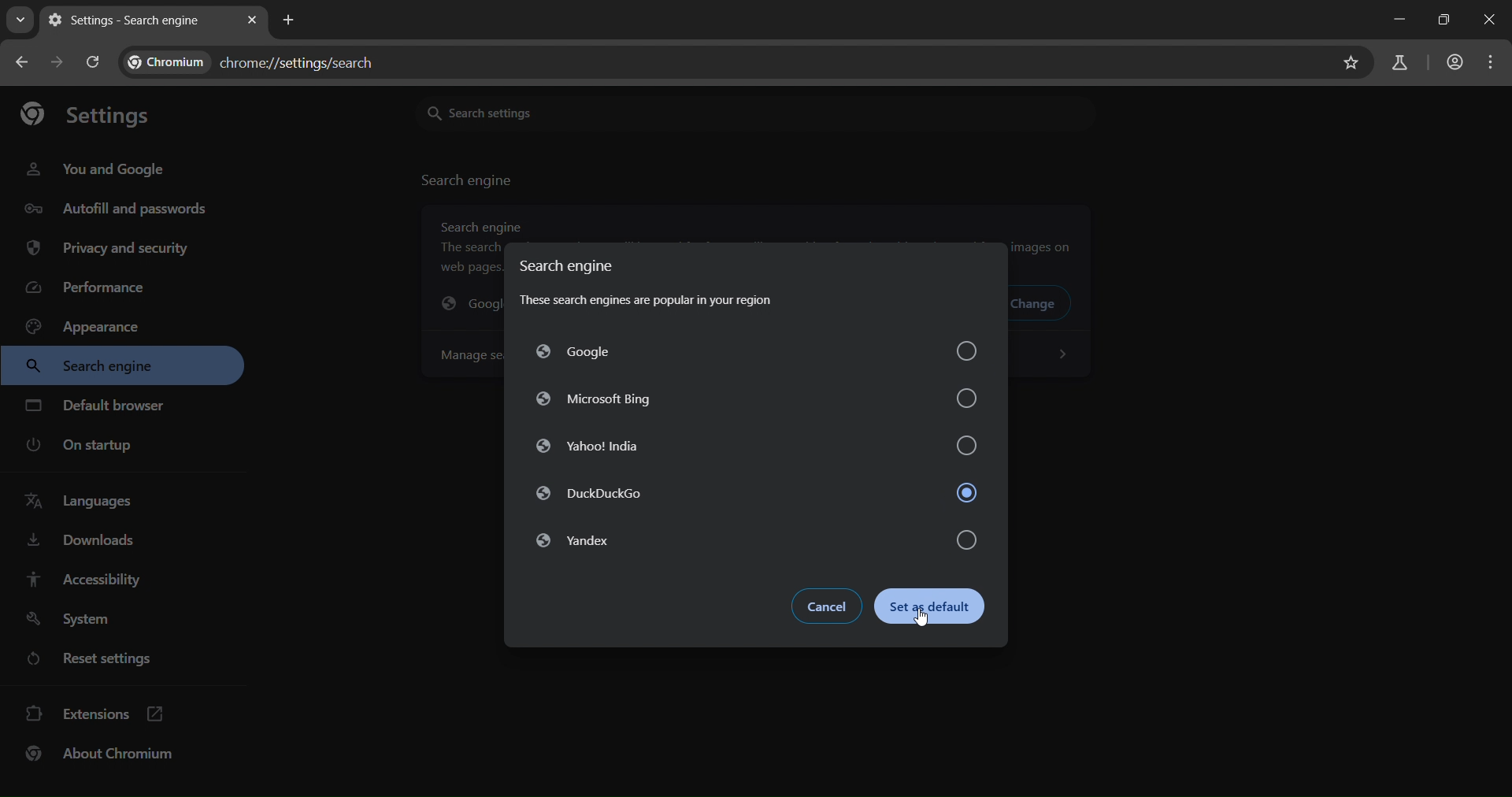 Image resolution: width=1512 pixels, height=797 pixels. What do you see at coordinates (85, 112) in the screenshot?
I see `settings` at bounding box center [85, 112].